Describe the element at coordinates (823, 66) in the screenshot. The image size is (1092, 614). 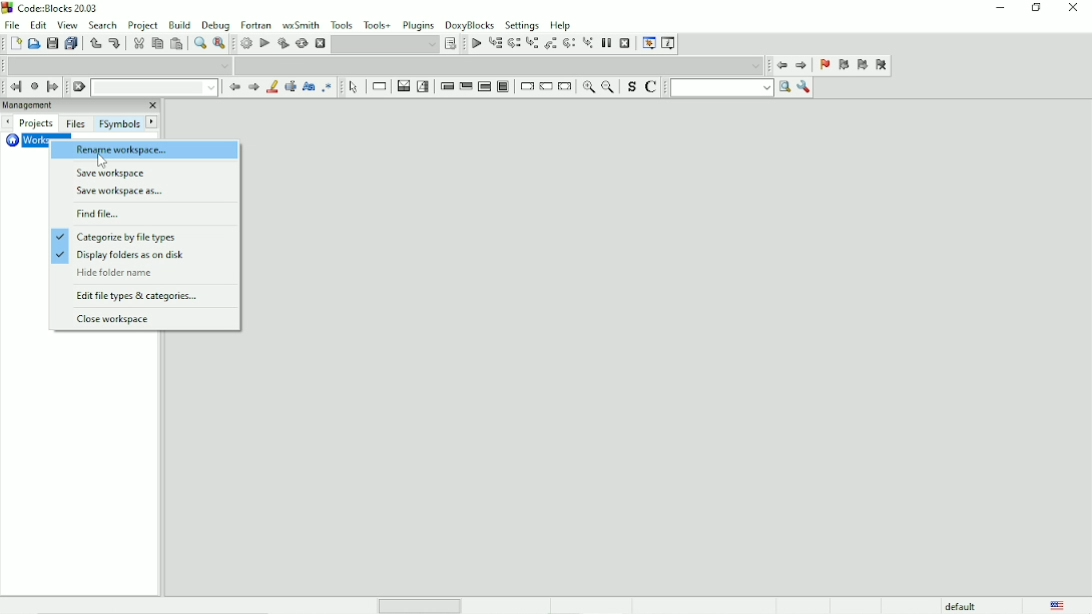
I see `Toggle bookmark` at that location.